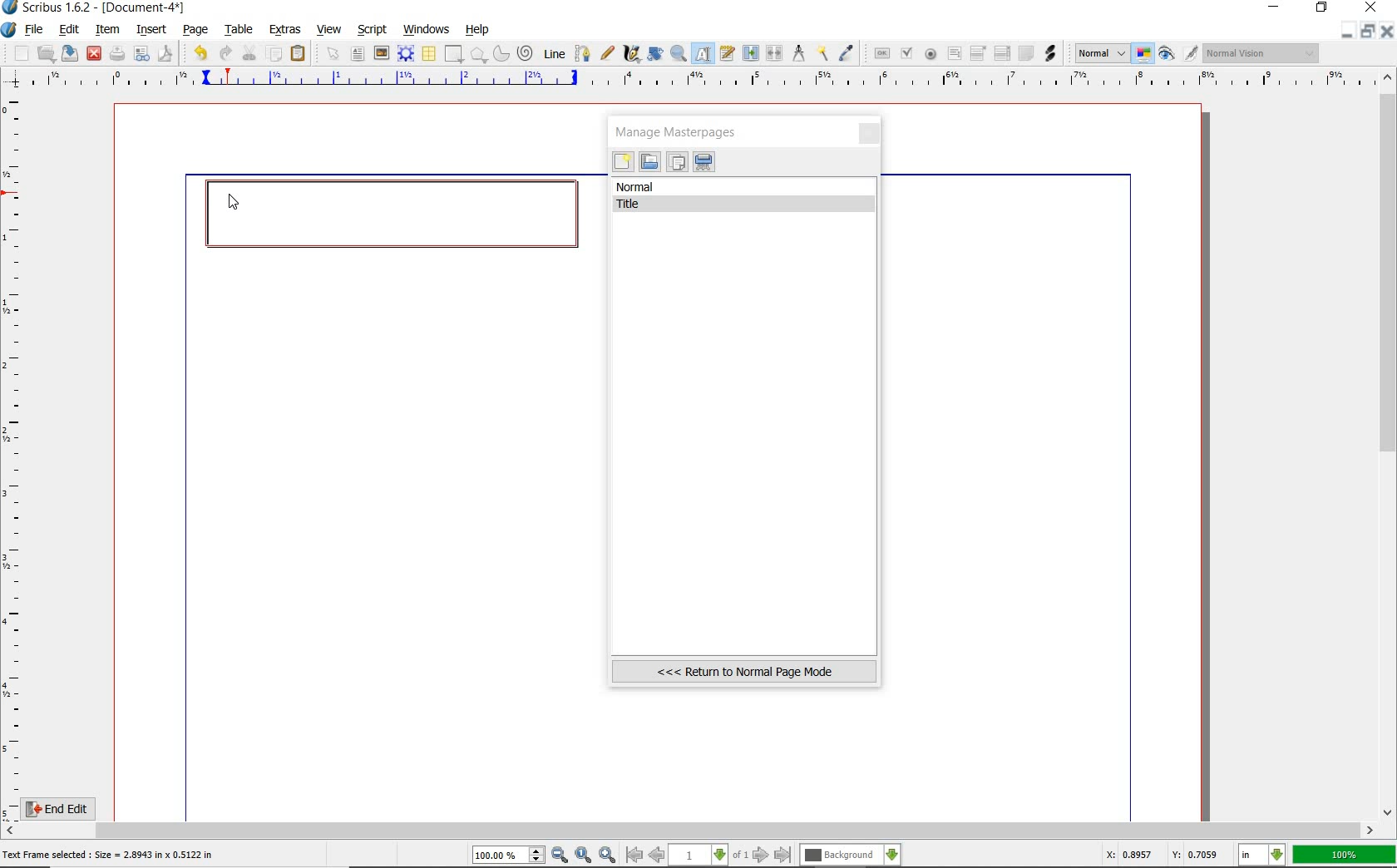 This screenshot has height=868, width=1397. What do you see at coordinates (330, 53) in the screenshot?
I see `select` at bounding box center [330, 53].